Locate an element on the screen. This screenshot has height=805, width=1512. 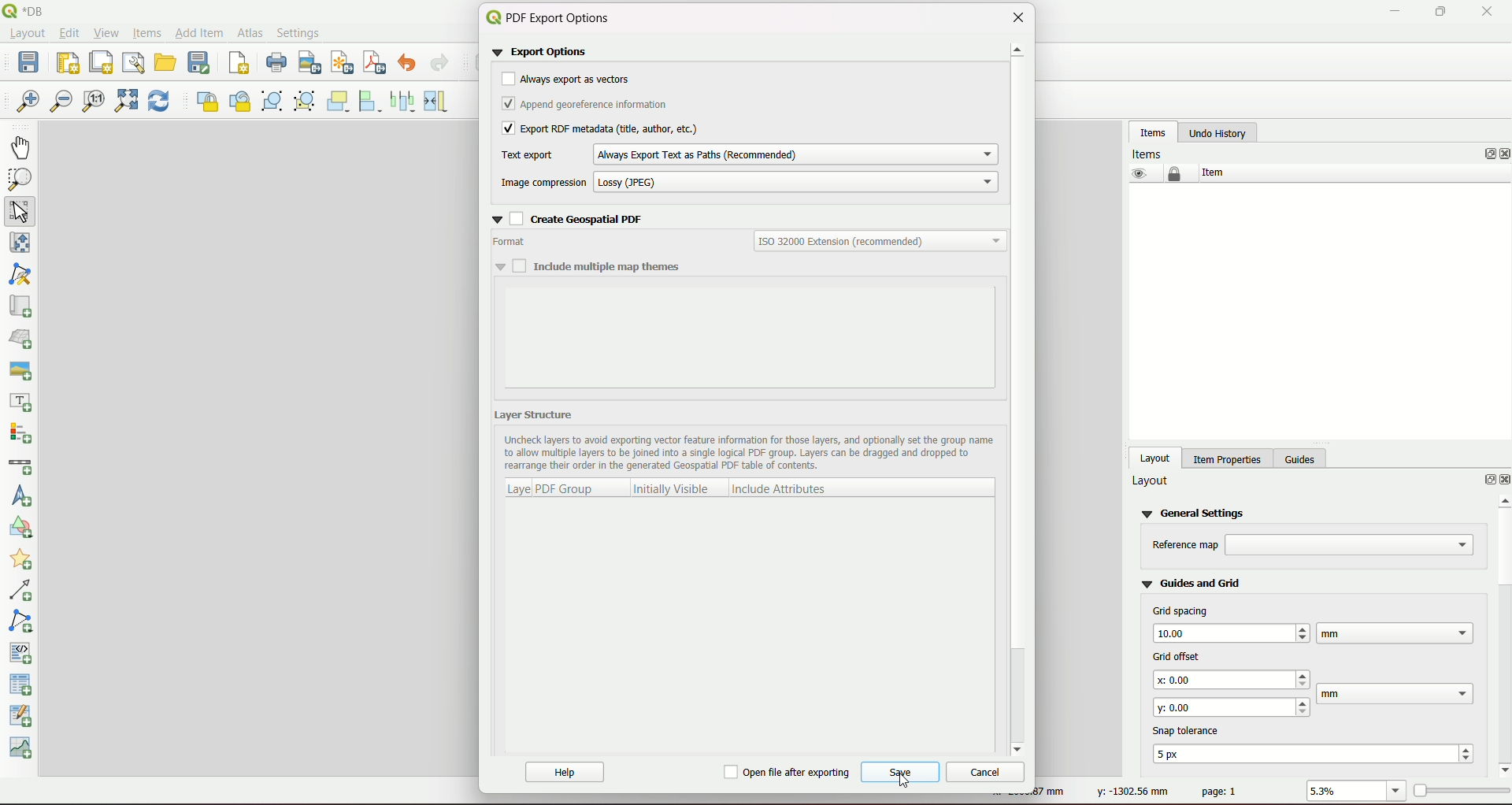
layout manager is located at coordinates (133, 62).